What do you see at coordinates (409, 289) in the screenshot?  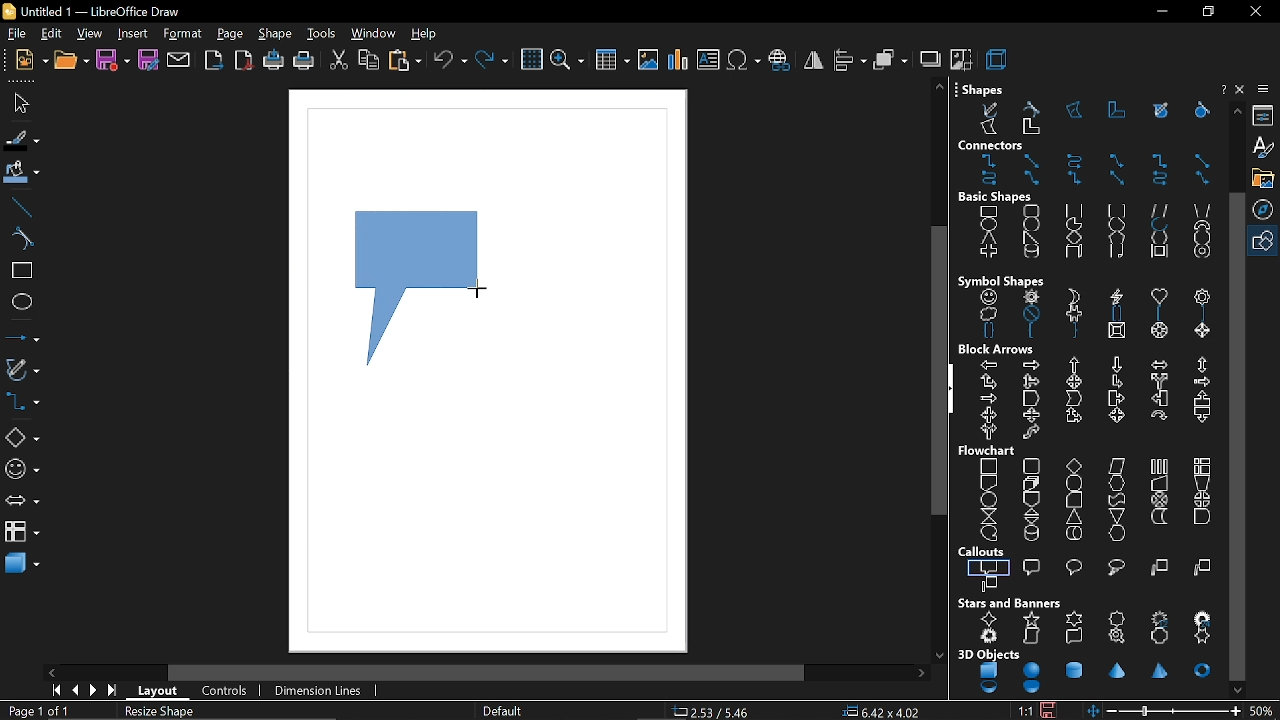 I see `callout` at bounding box center [409, 289].